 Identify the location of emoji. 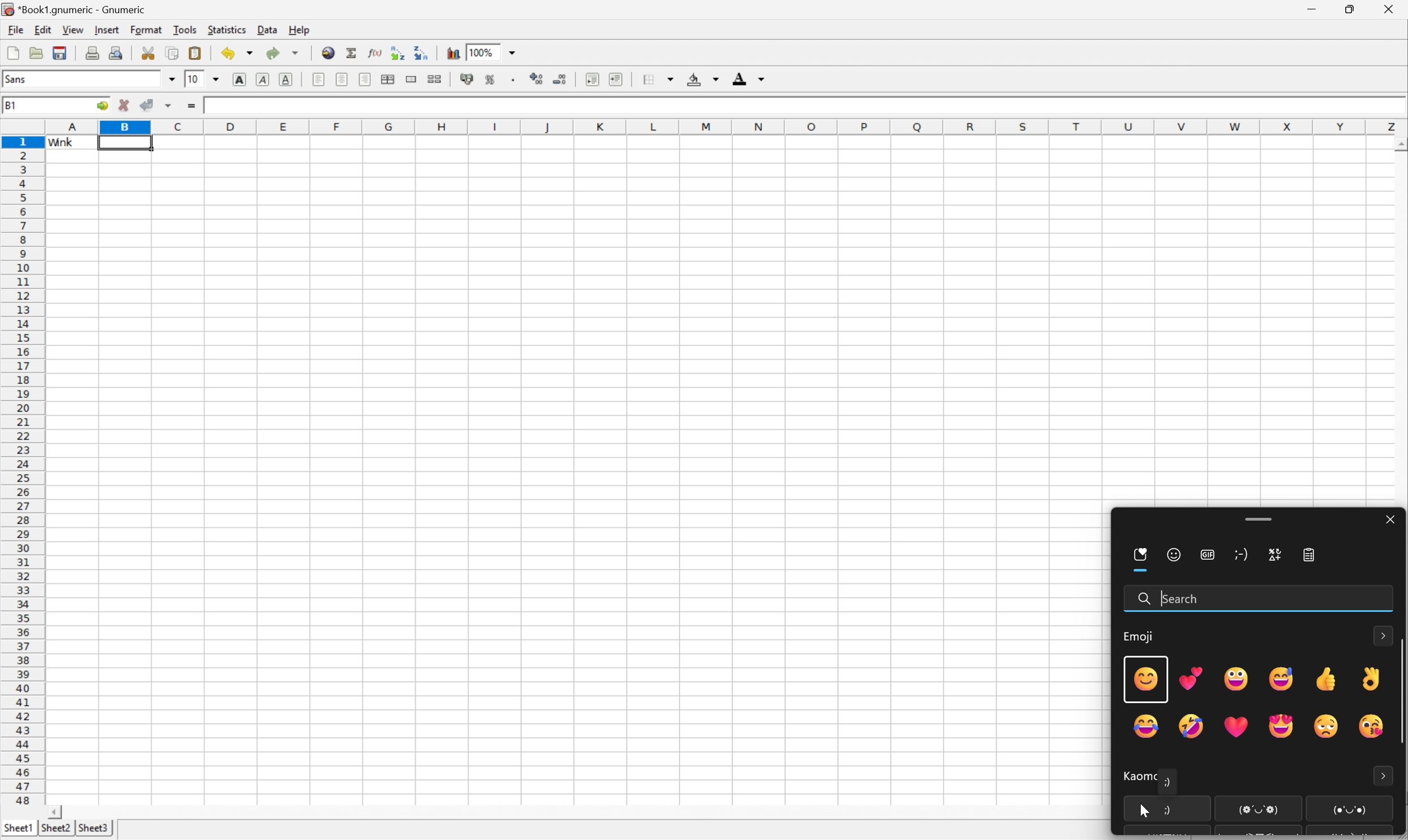
(1174, 556).